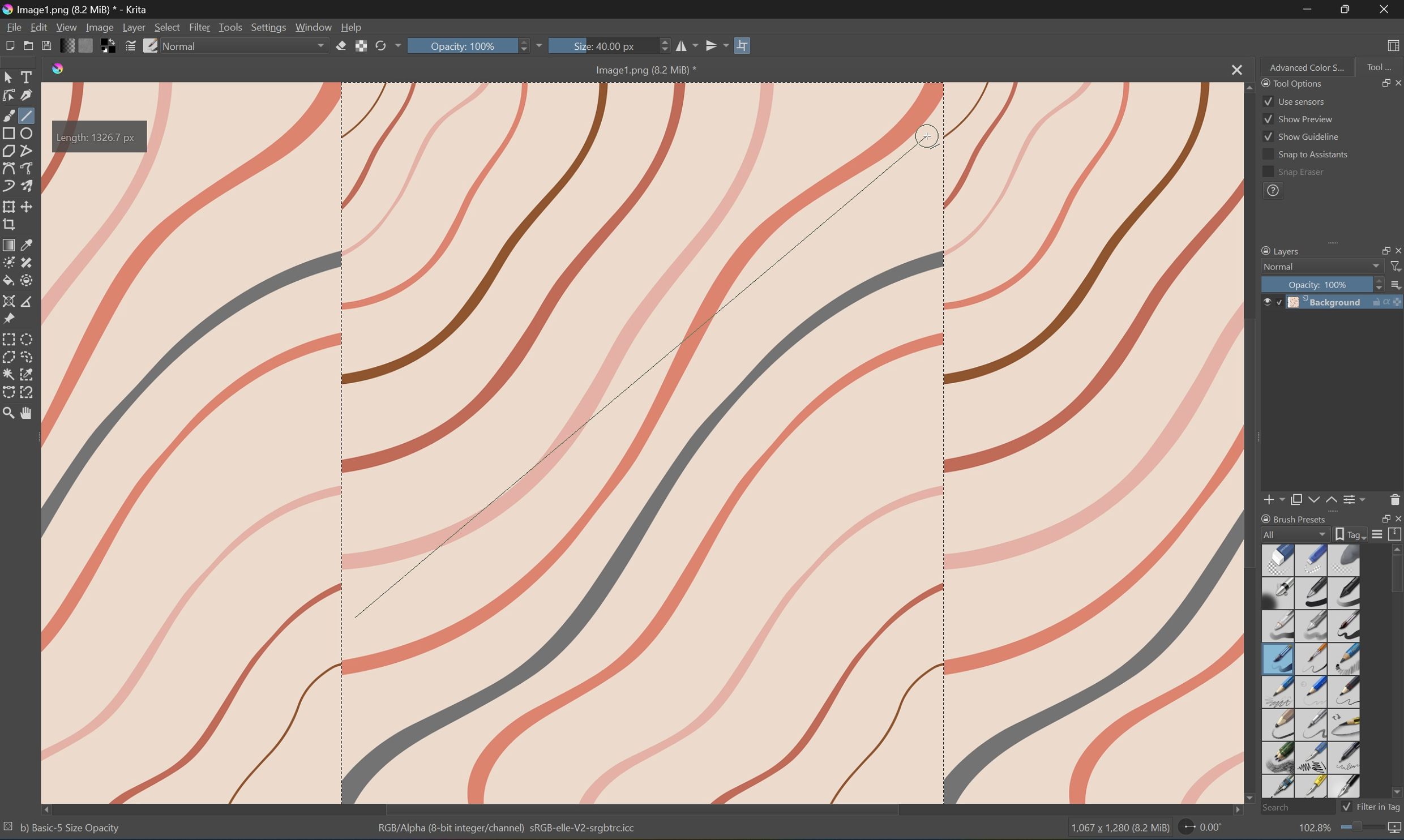 Image resolution: width=1404 pixels, height=840 pixels. I want to click on Edit shapes tool, so click(9, 96).